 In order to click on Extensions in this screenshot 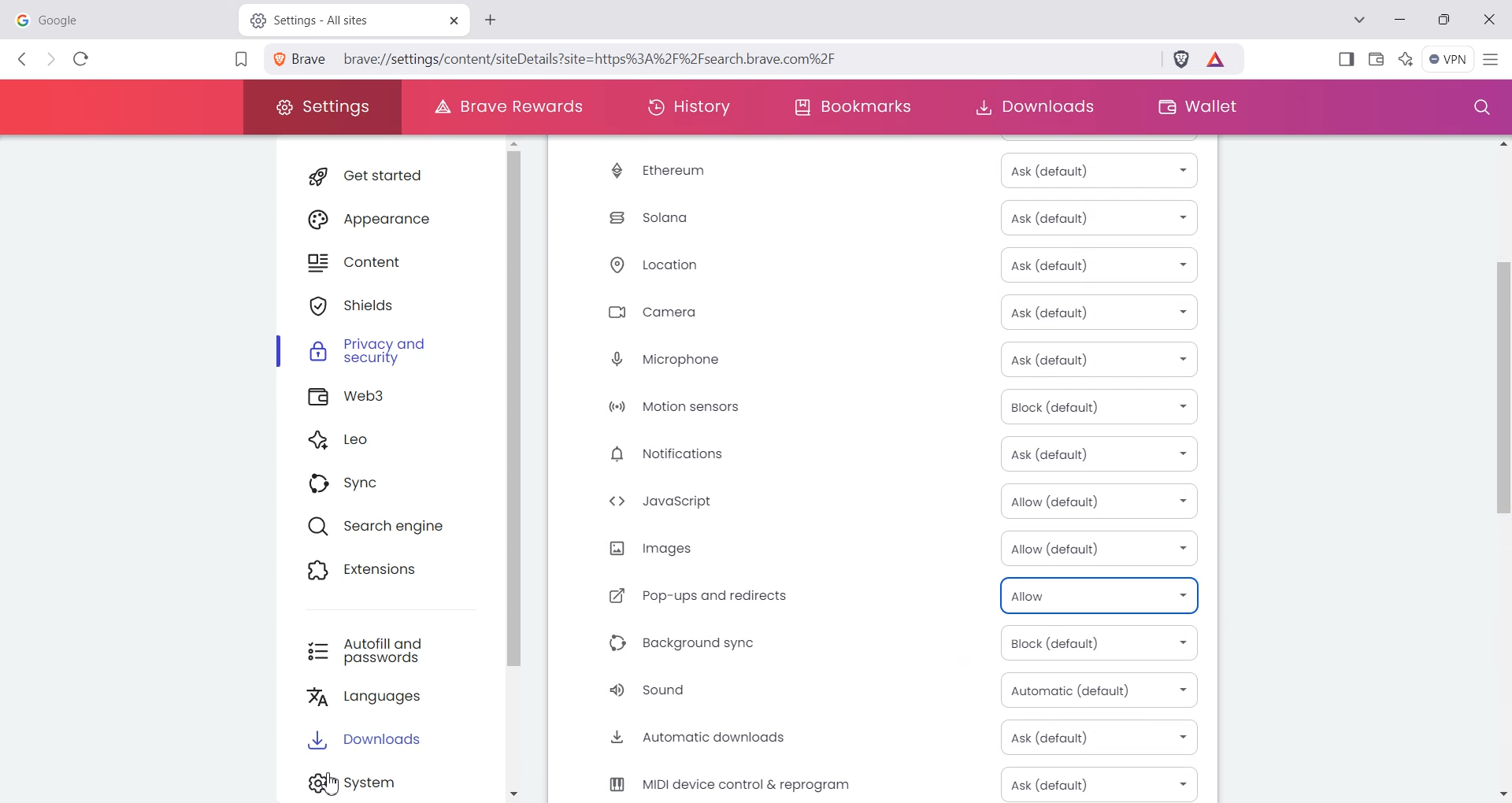, I will do `click(387, 572)`.